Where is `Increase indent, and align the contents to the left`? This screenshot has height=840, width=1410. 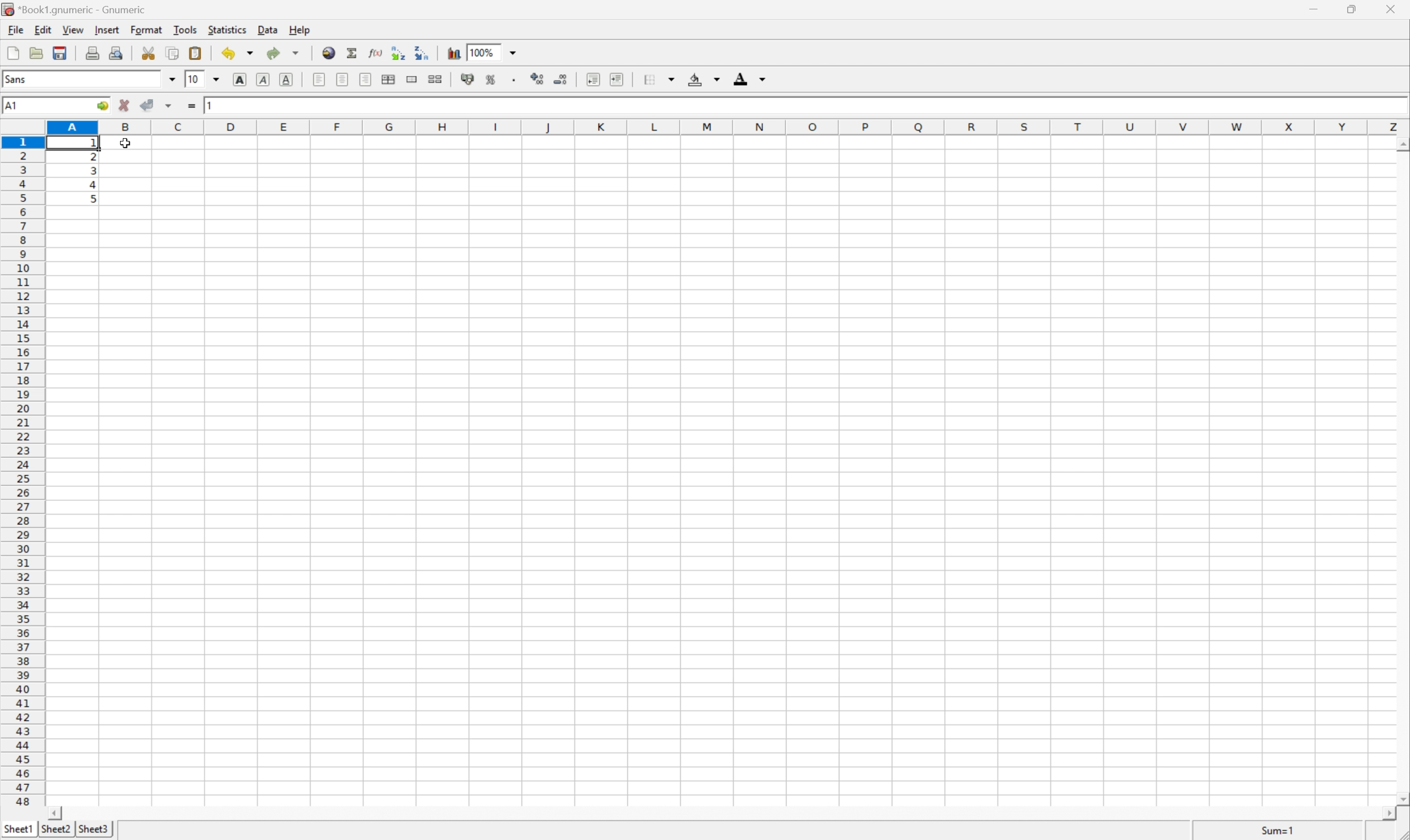 Increase indent, and align the contents to the left is located at coordinates (617, 78).